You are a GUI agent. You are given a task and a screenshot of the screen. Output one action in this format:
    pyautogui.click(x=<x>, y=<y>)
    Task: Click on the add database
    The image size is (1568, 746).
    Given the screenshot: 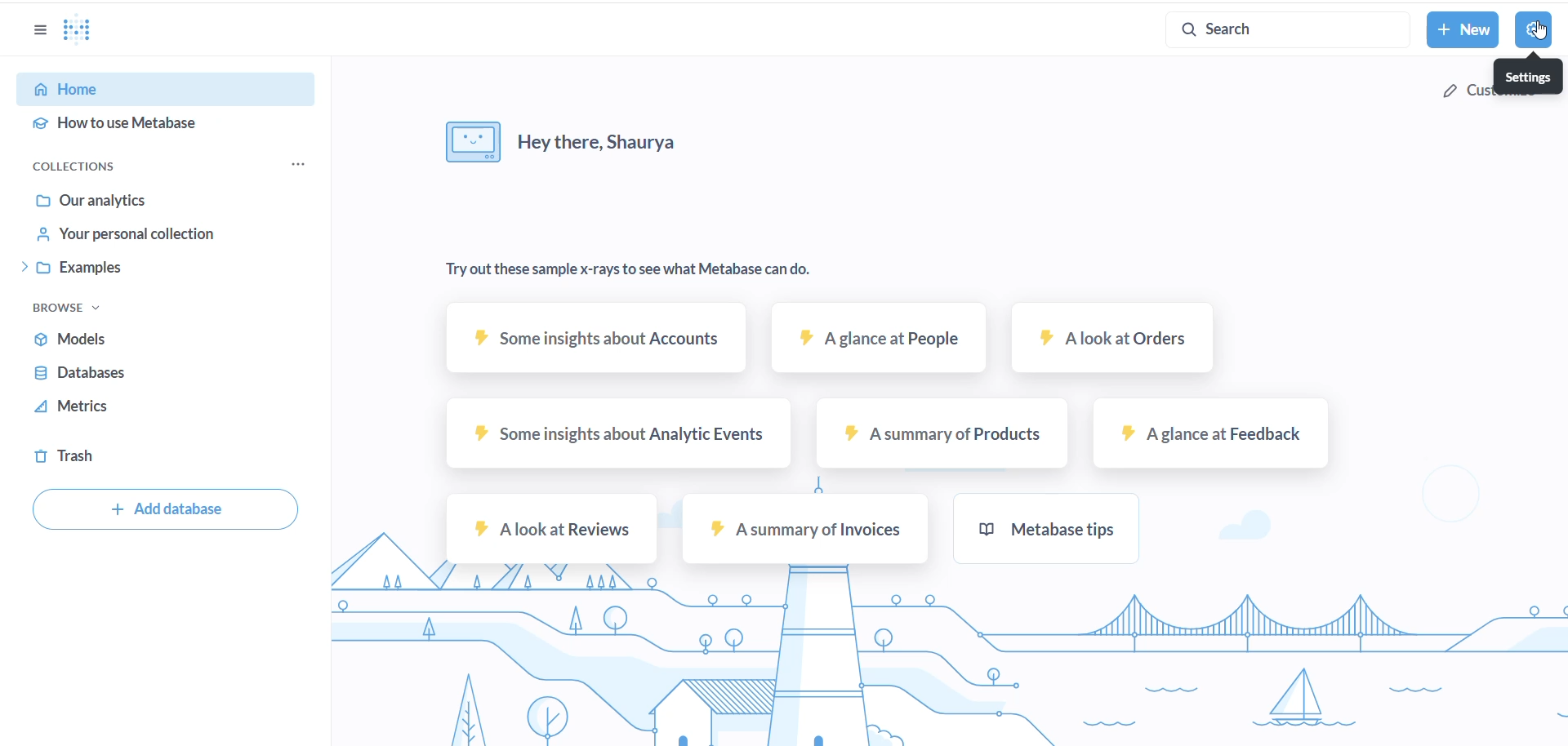 What is the action you would take?
    pyautogui.click(x=165, y=512)
    